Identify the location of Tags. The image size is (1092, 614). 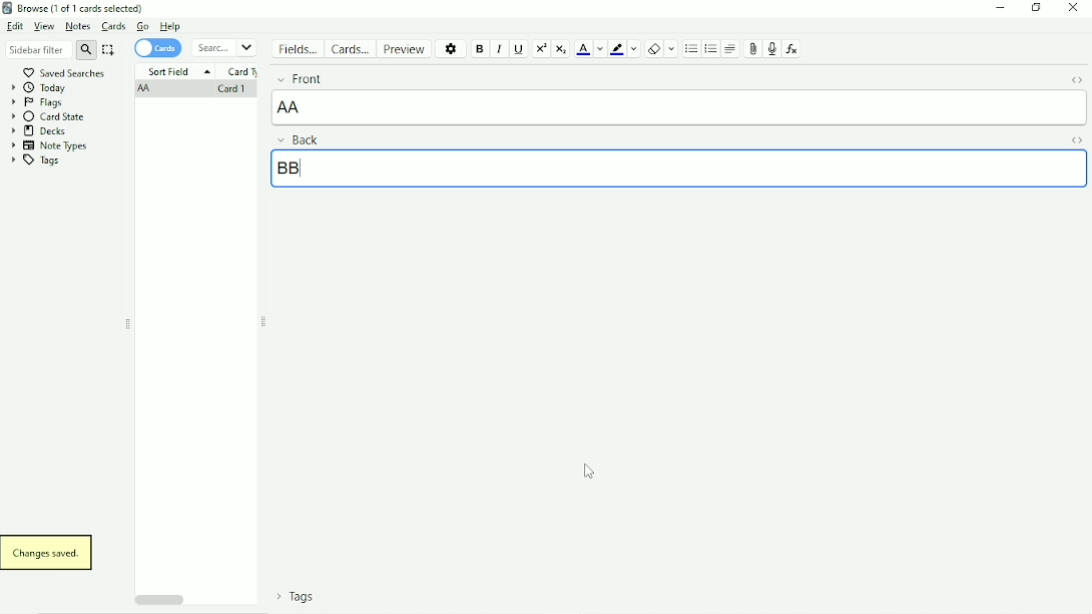
(35, 161).